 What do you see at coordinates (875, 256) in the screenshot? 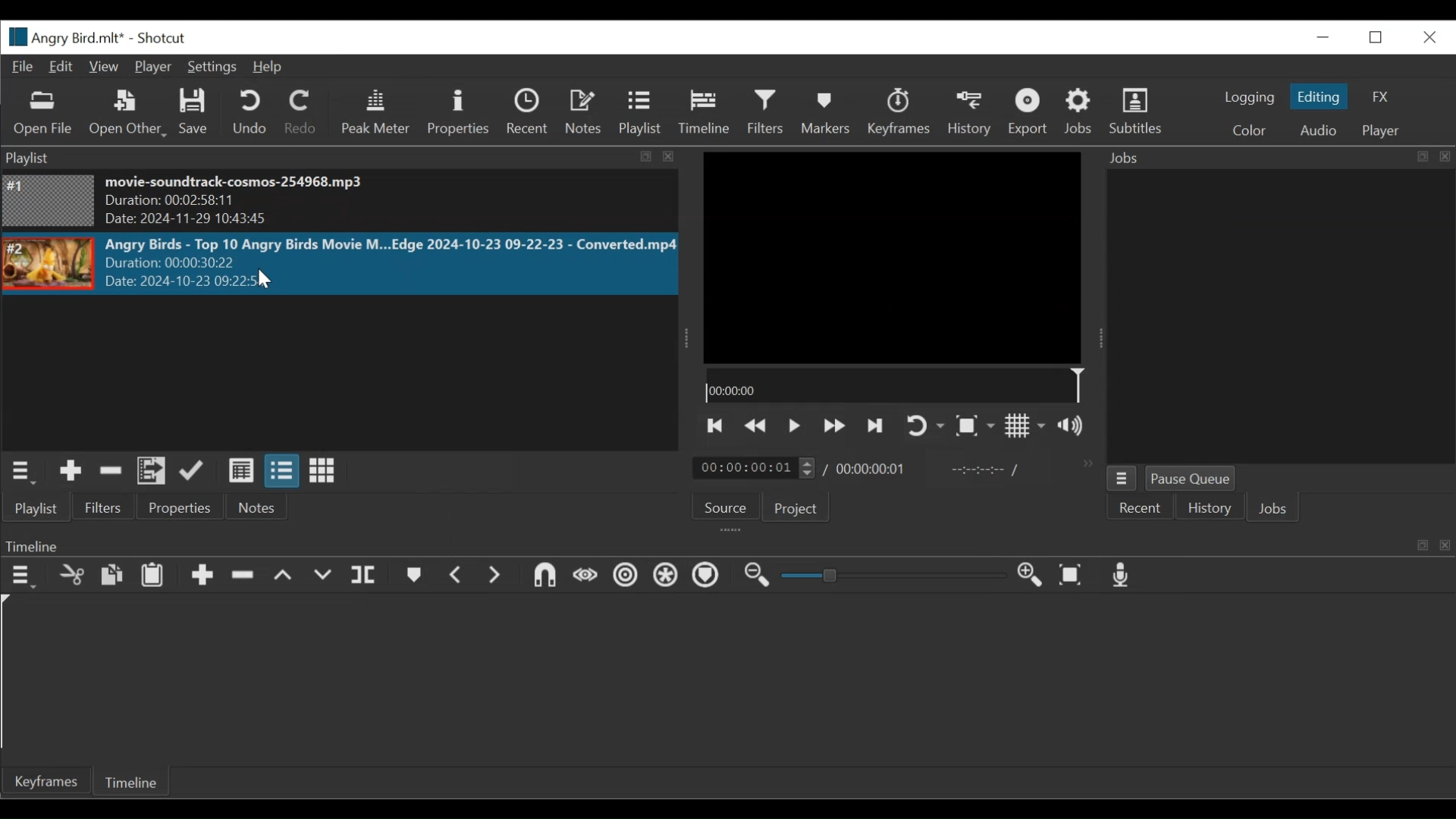
I see `Media Viewer` at bounding box center [875, 256].